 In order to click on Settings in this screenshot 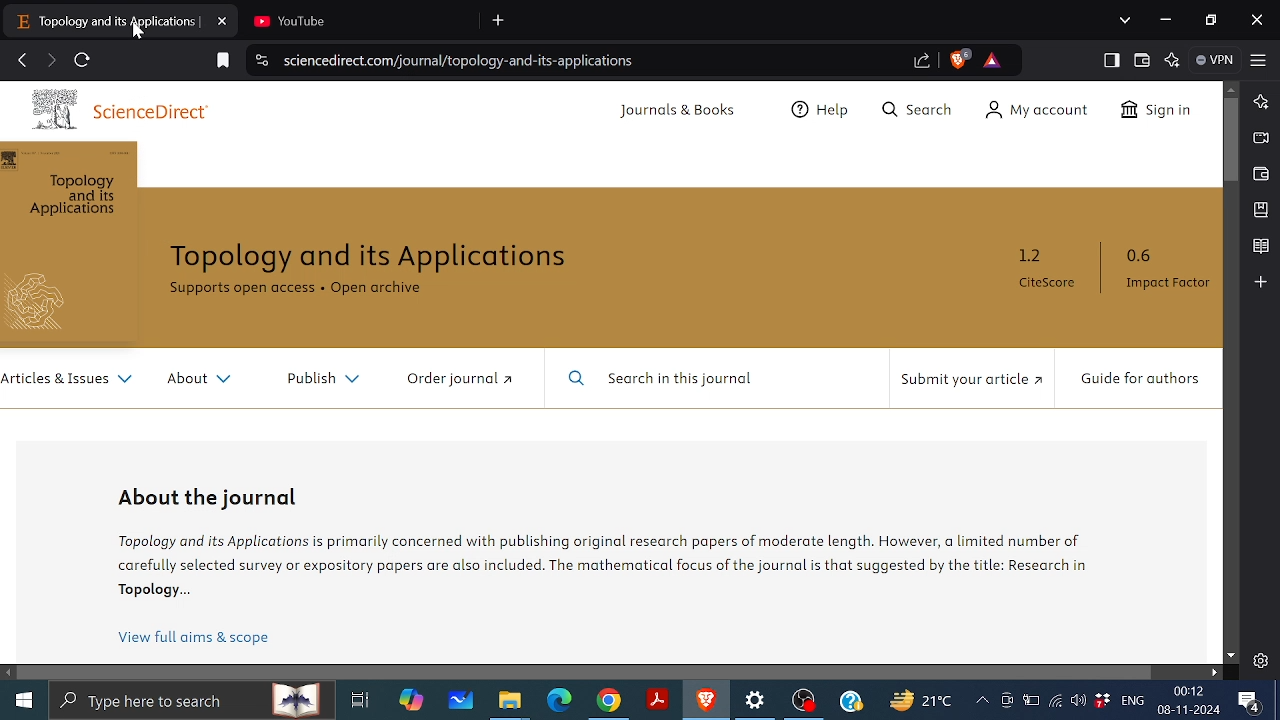, I will do `click(1260, 660)`.